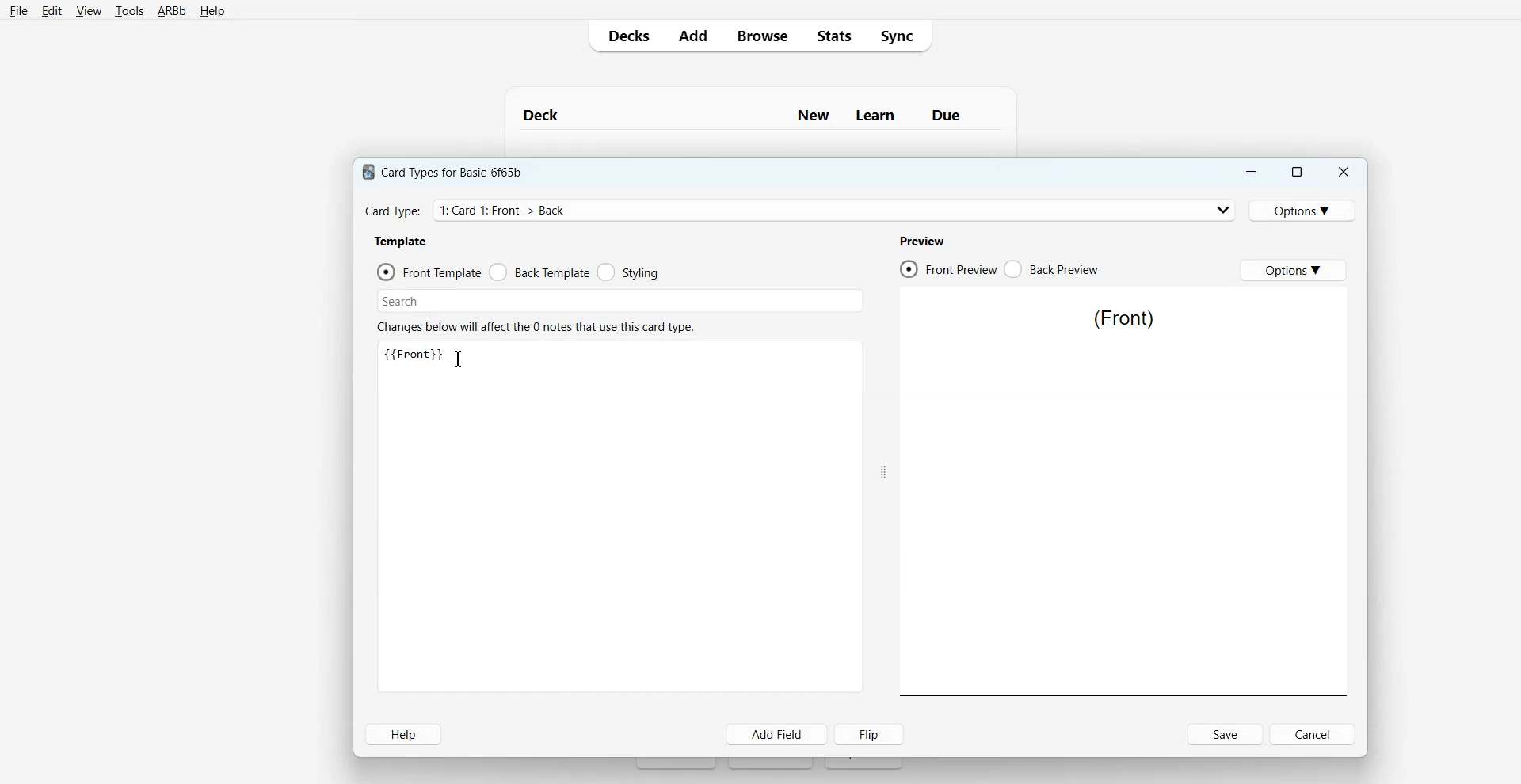 This screenshot has height=784, width=1521. What do you see at coordinates (692, 36) in the screenshot?
I see `Add` at bounding box center [692, 36].